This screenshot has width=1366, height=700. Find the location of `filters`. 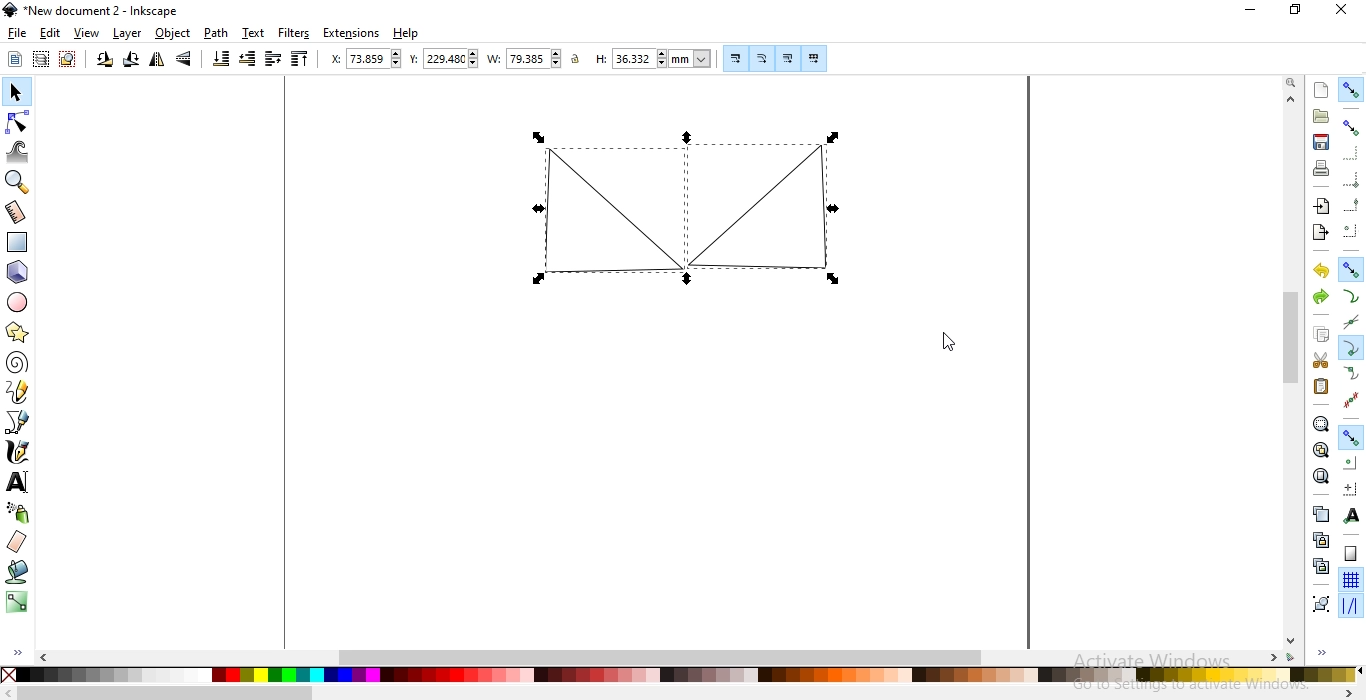

filters is located at coordinates (295, 34).